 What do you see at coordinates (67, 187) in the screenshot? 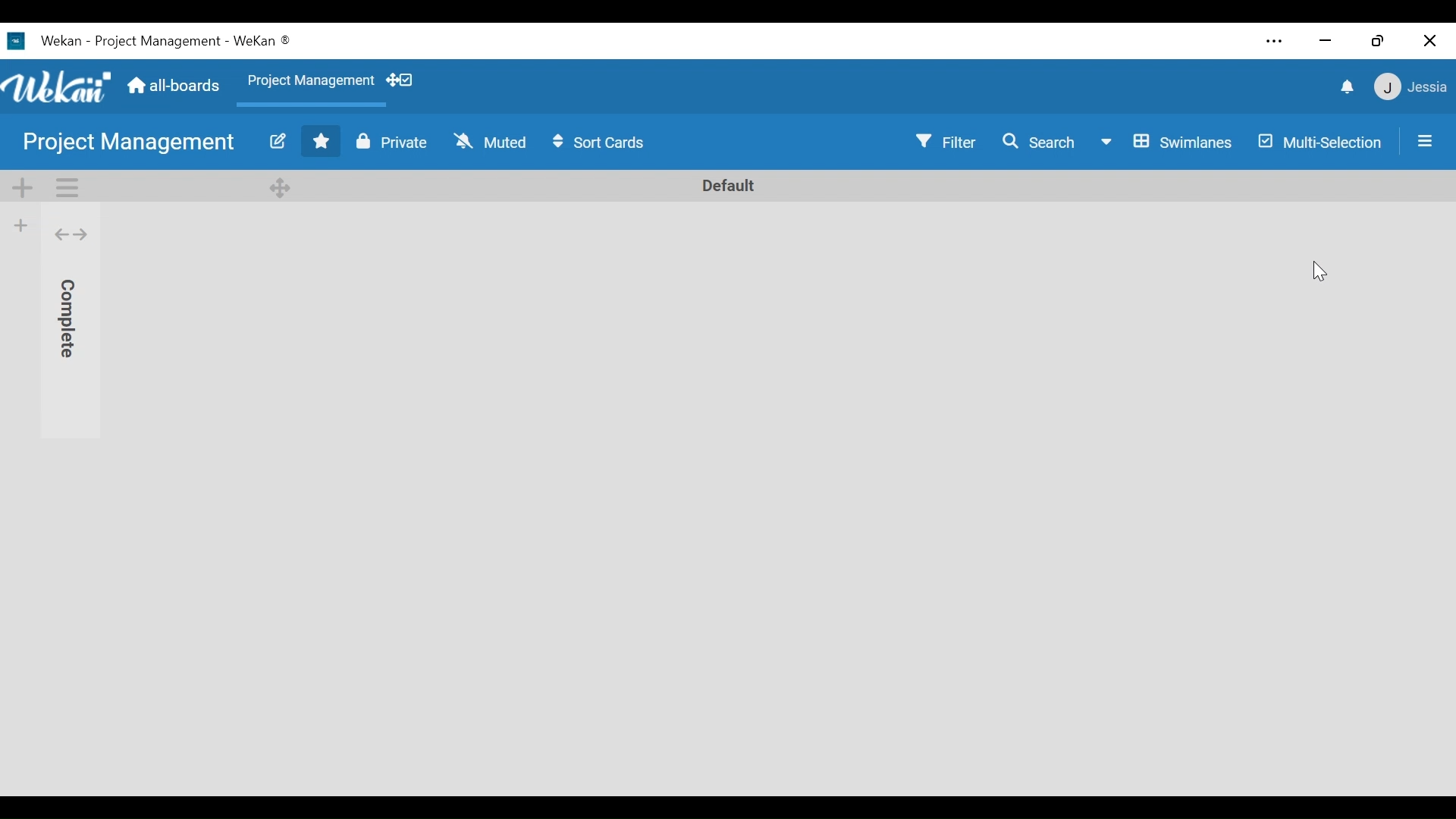
I see `Swimlane actions` at bounding box center [67, 187].